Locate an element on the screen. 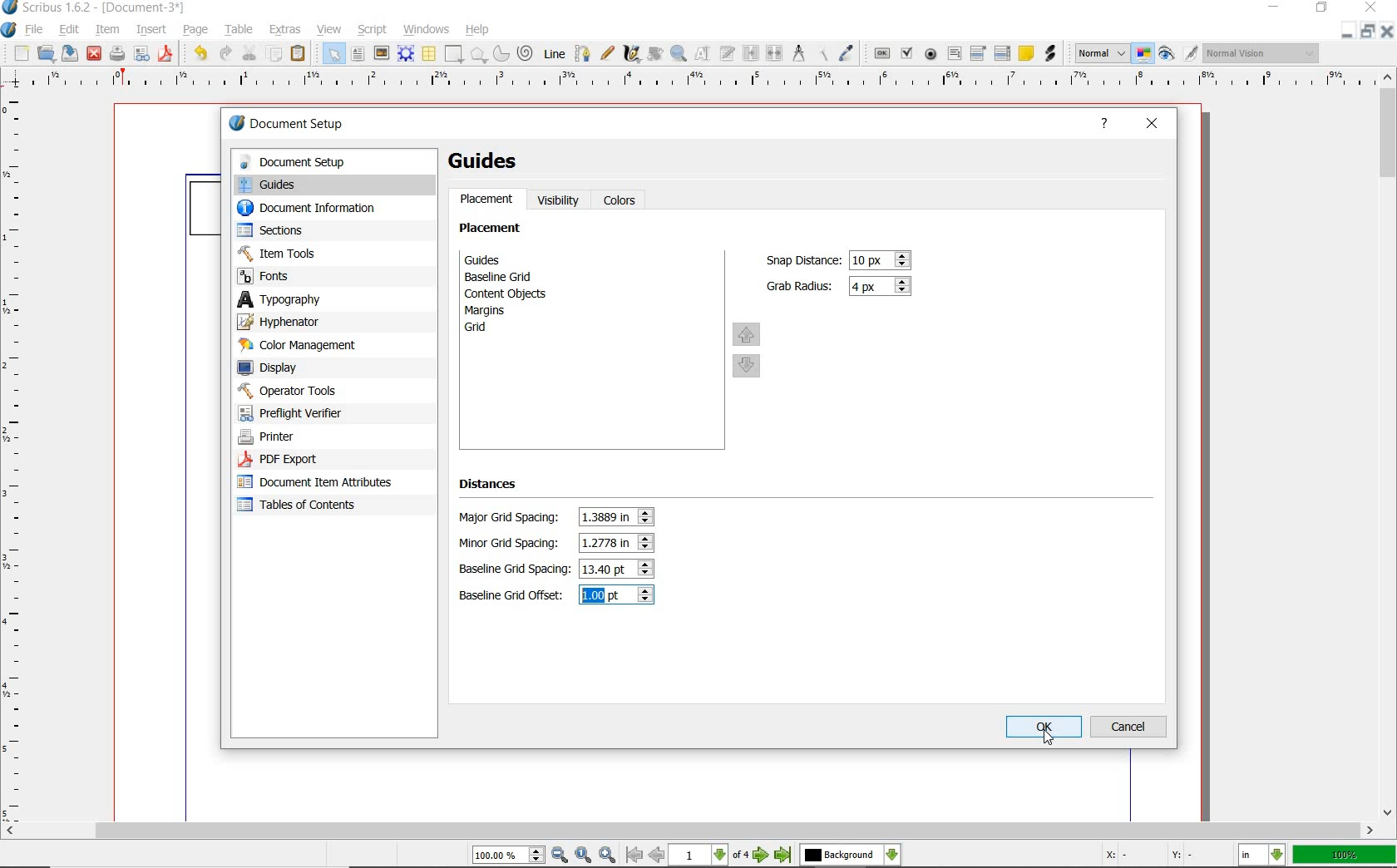 Image resolution: width=1397 pixels, height=868 pixels. measurements is located at coordinates (797, 52).